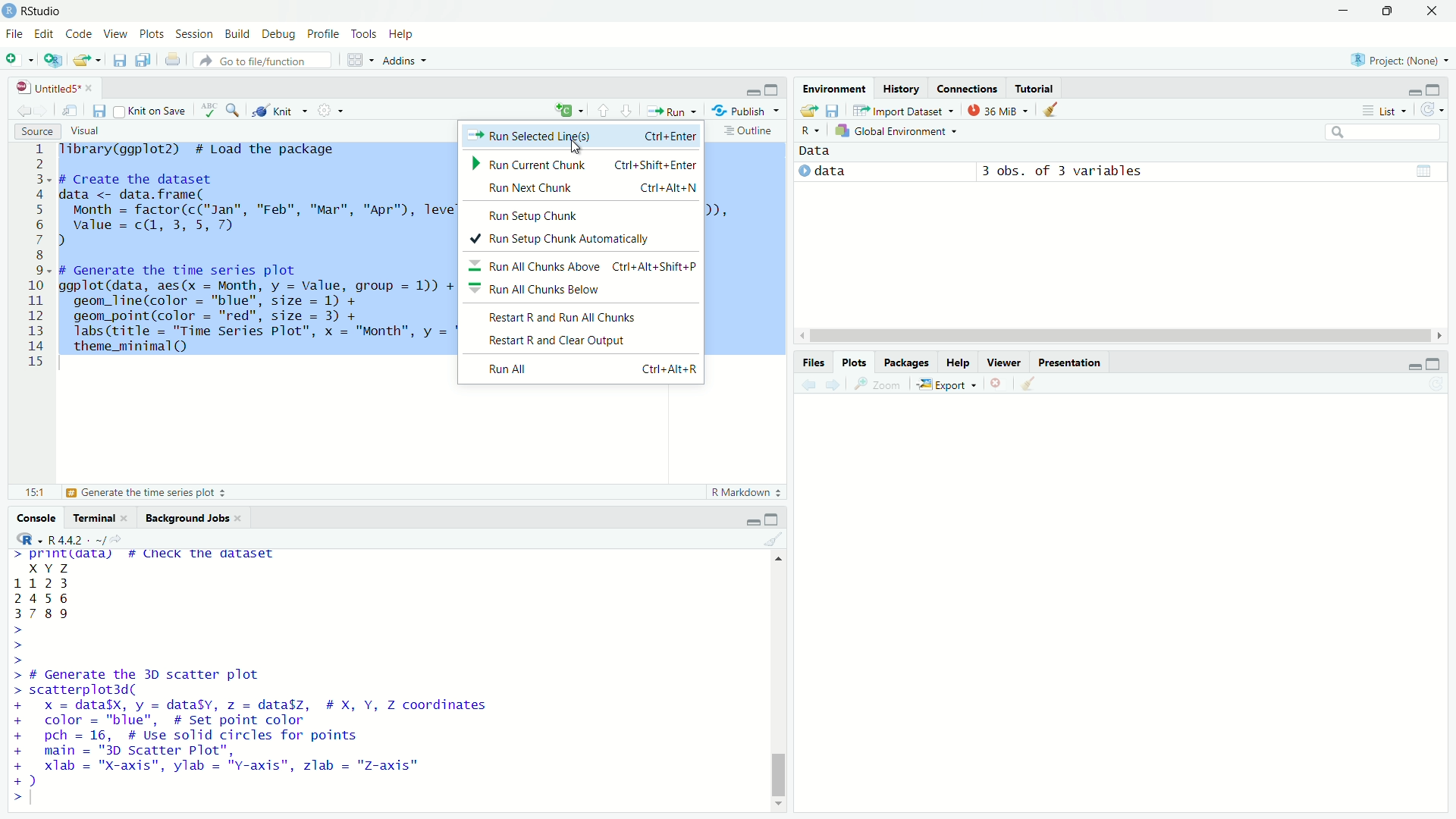  I want to click on file, so click(13, 33).